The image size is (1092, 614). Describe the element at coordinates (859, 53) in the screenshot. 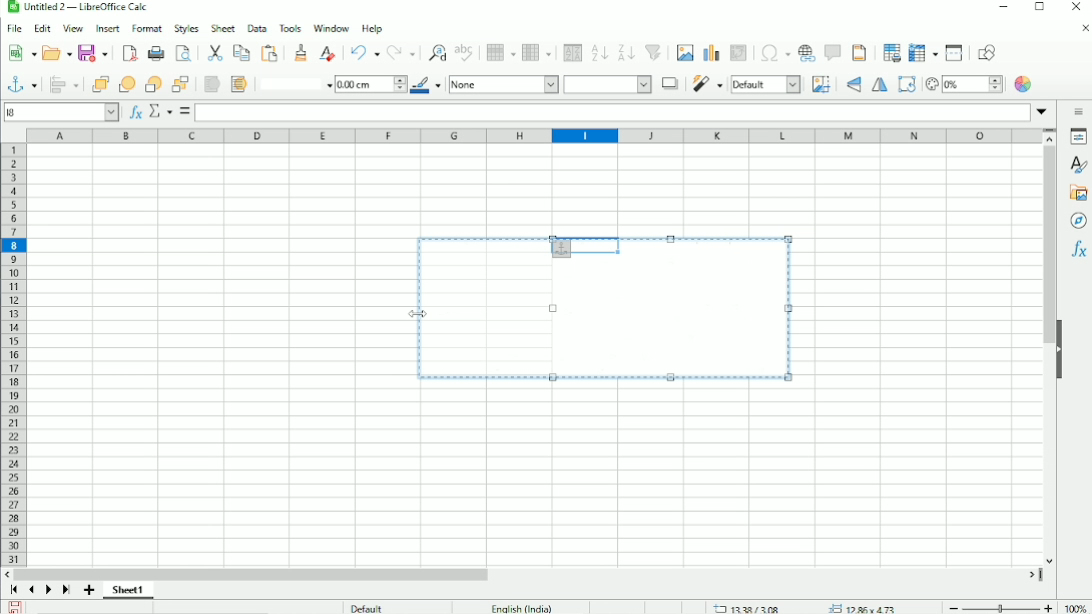

I see `Headers and footers` at that location.